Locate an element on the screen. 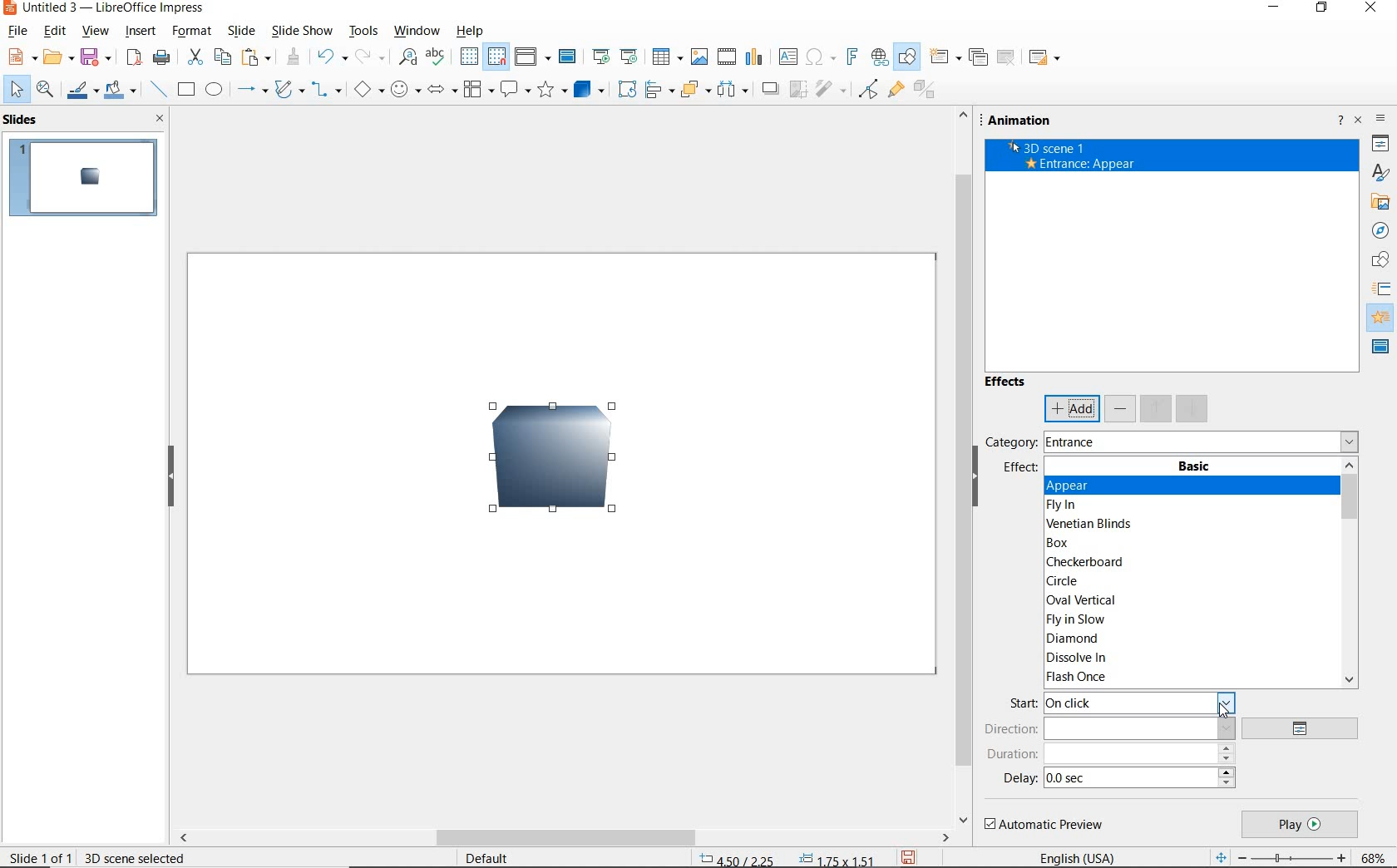 Image resolution: width=1397 pixels, height=868 pixels. FLY IN SLOW is located at coordinates (1075, 620).